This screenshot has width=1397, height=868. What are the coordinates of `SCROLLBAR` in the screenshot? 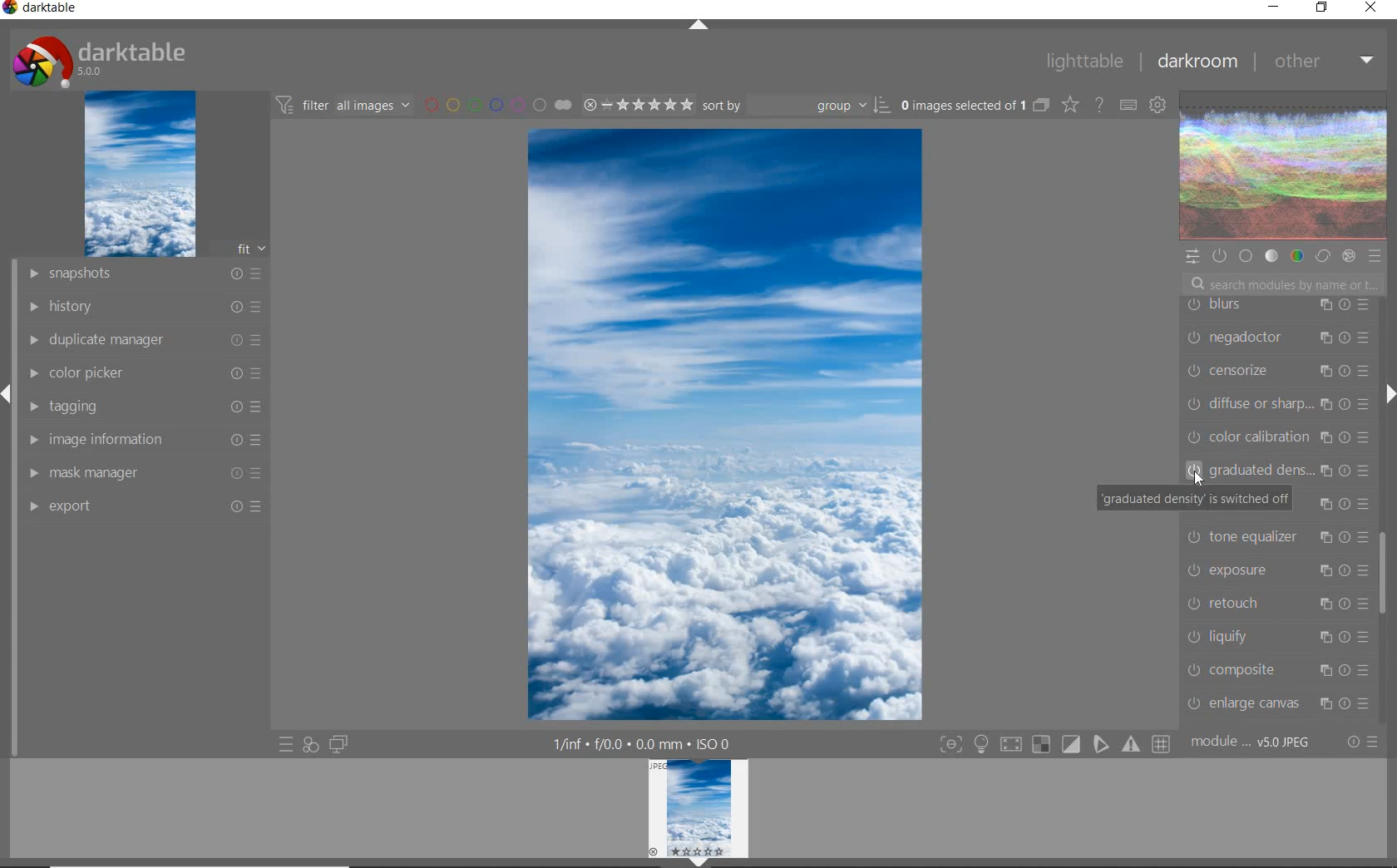 It's located at (1385, 572).